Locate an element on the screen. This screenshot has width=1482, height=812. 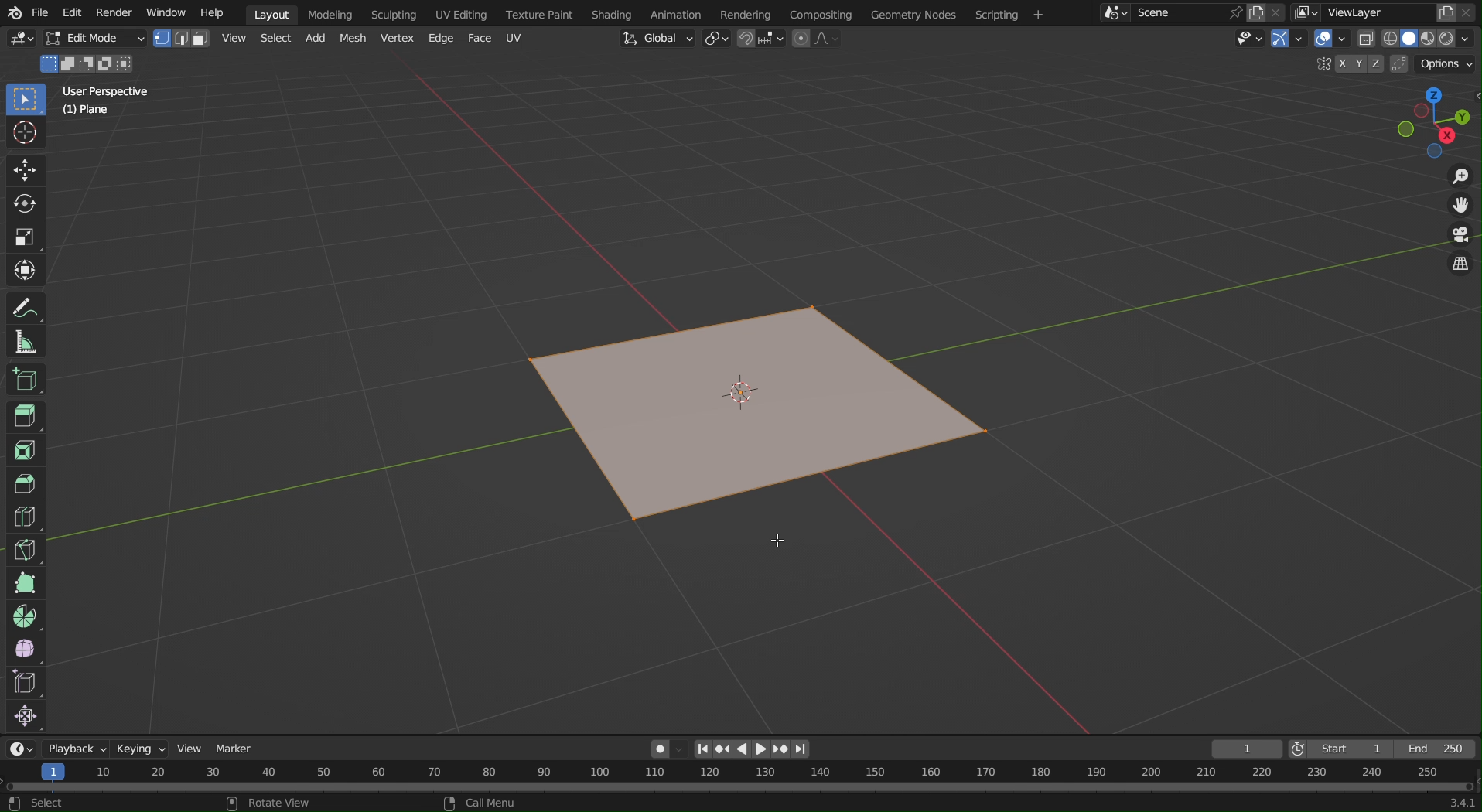
Show Gizmo is located at coordinates (1288, 41).